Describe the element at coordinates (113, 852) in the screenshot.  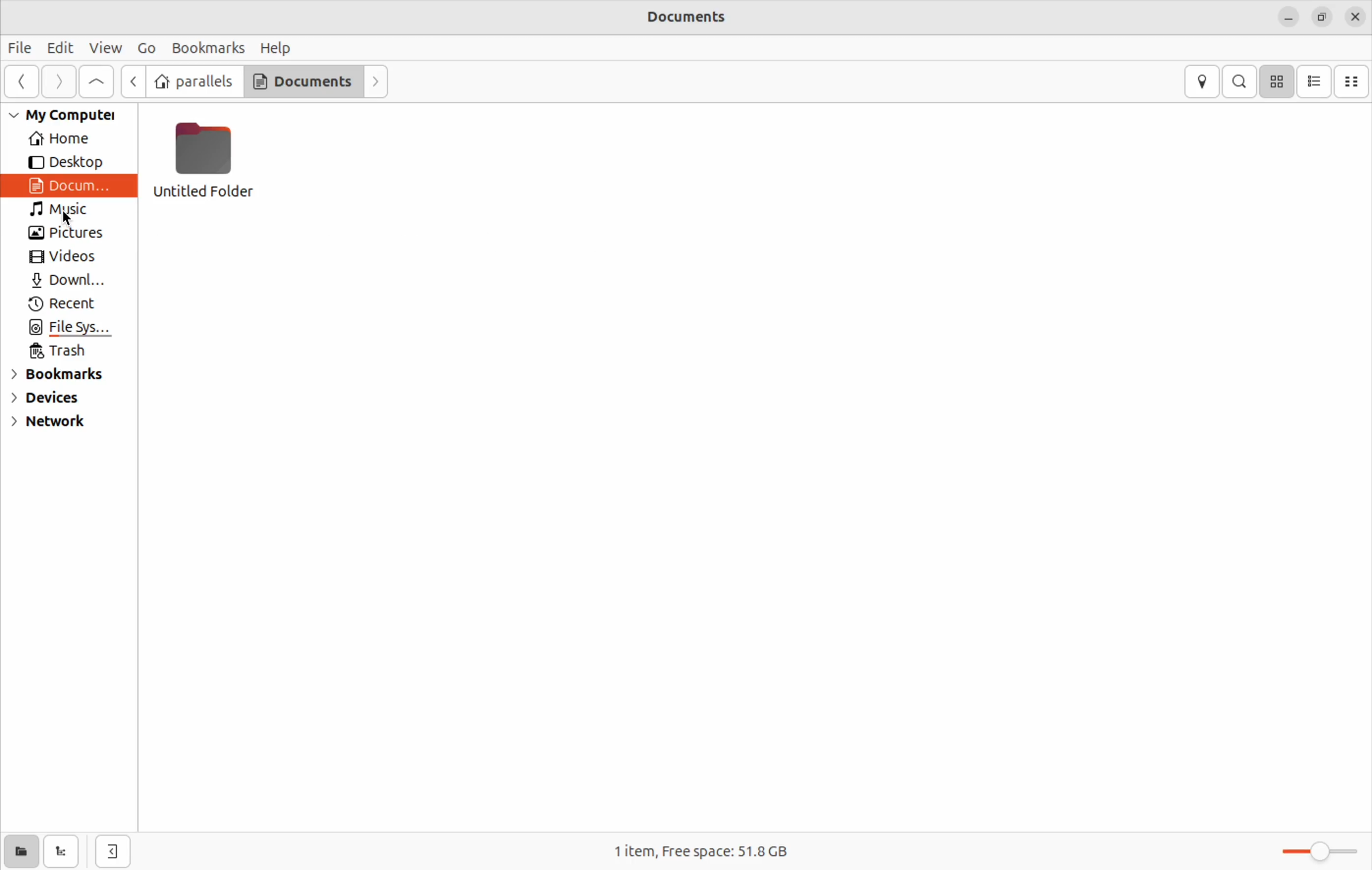
I see `open side bar` at that location.